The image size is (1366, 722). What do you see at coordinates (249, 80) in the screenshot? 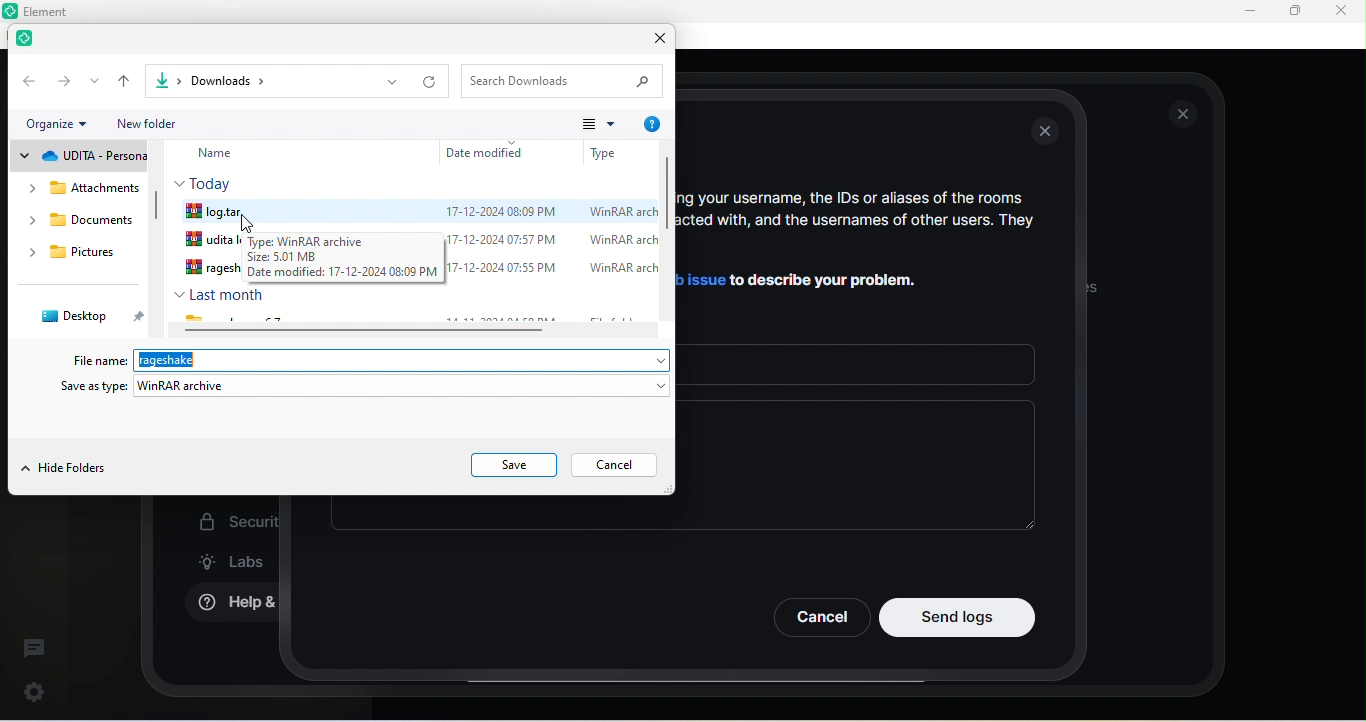
I see `file path` at bounding box center [249, 80].